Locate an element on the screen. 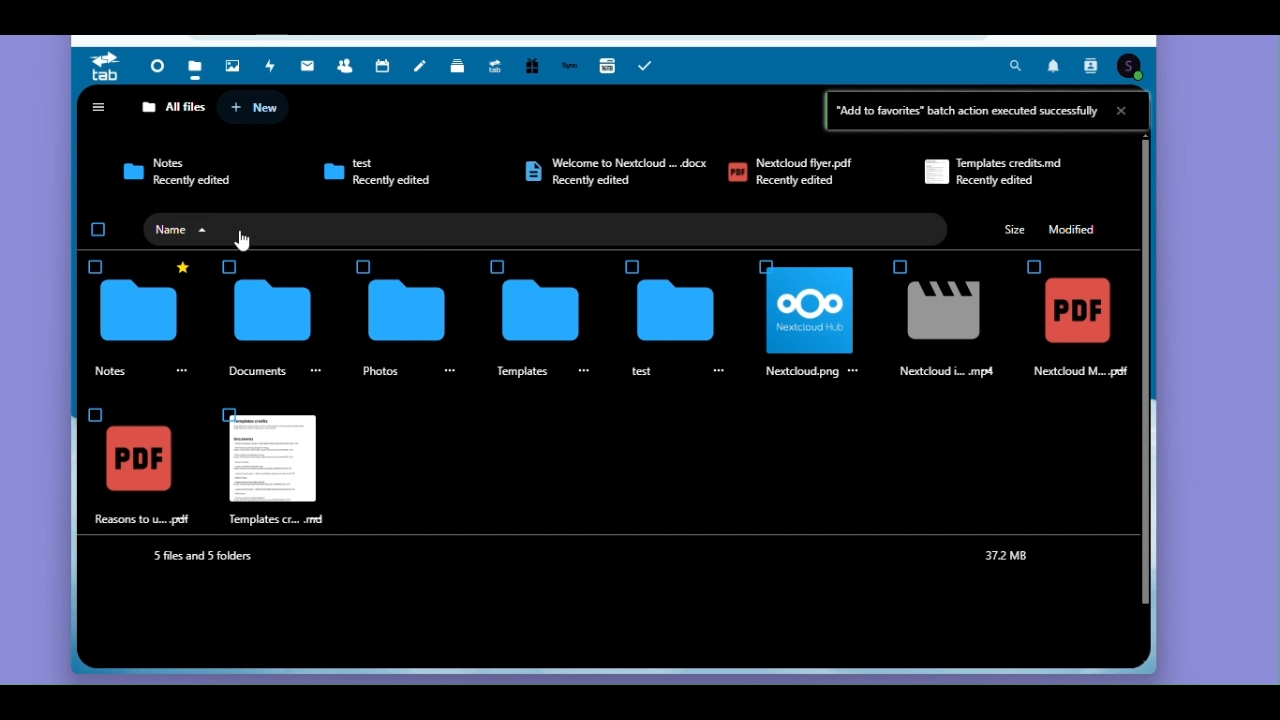  Template is located at coordinates (519, 373).